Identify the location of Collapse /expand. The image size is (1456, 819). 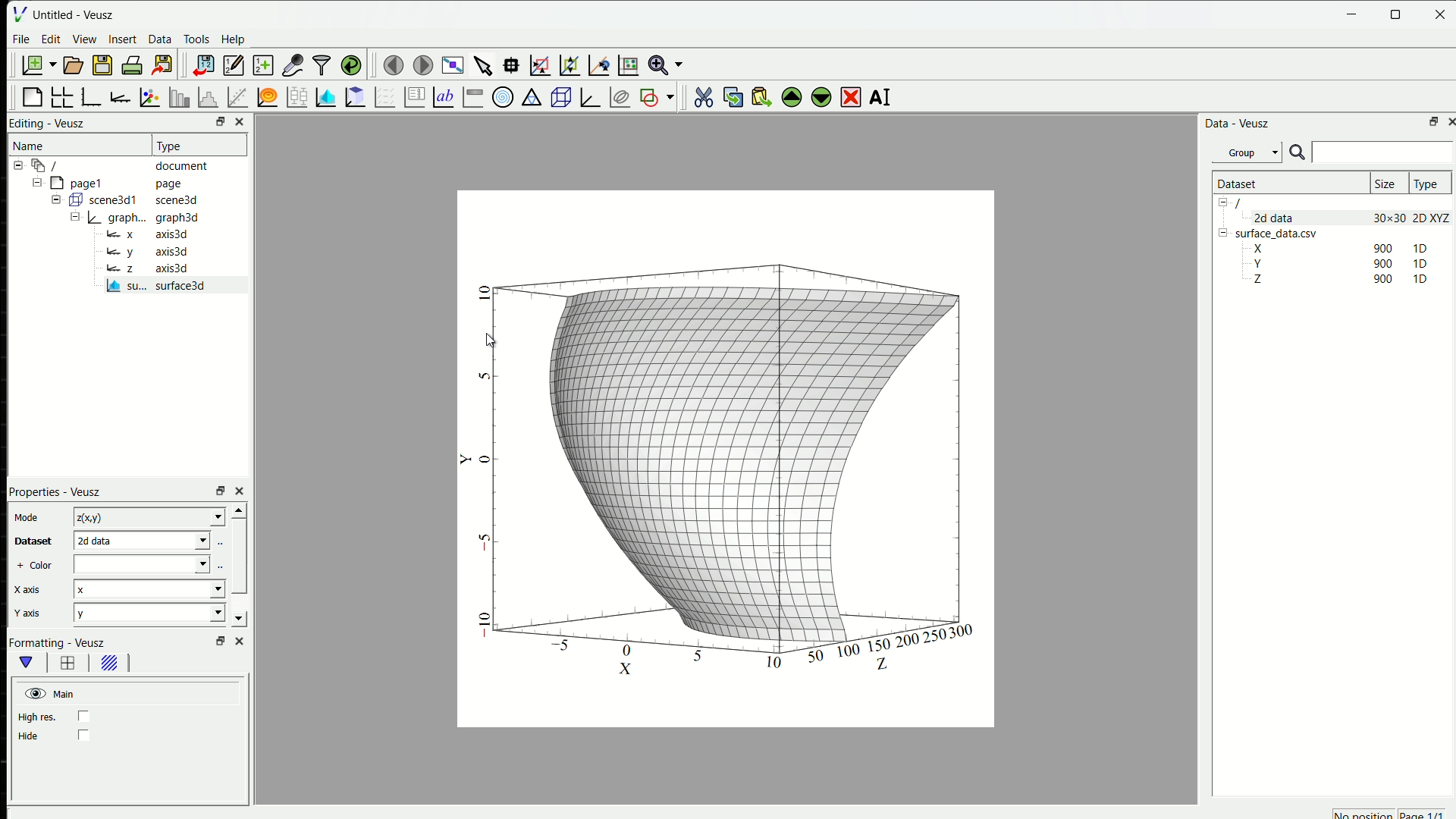
(36, 182).